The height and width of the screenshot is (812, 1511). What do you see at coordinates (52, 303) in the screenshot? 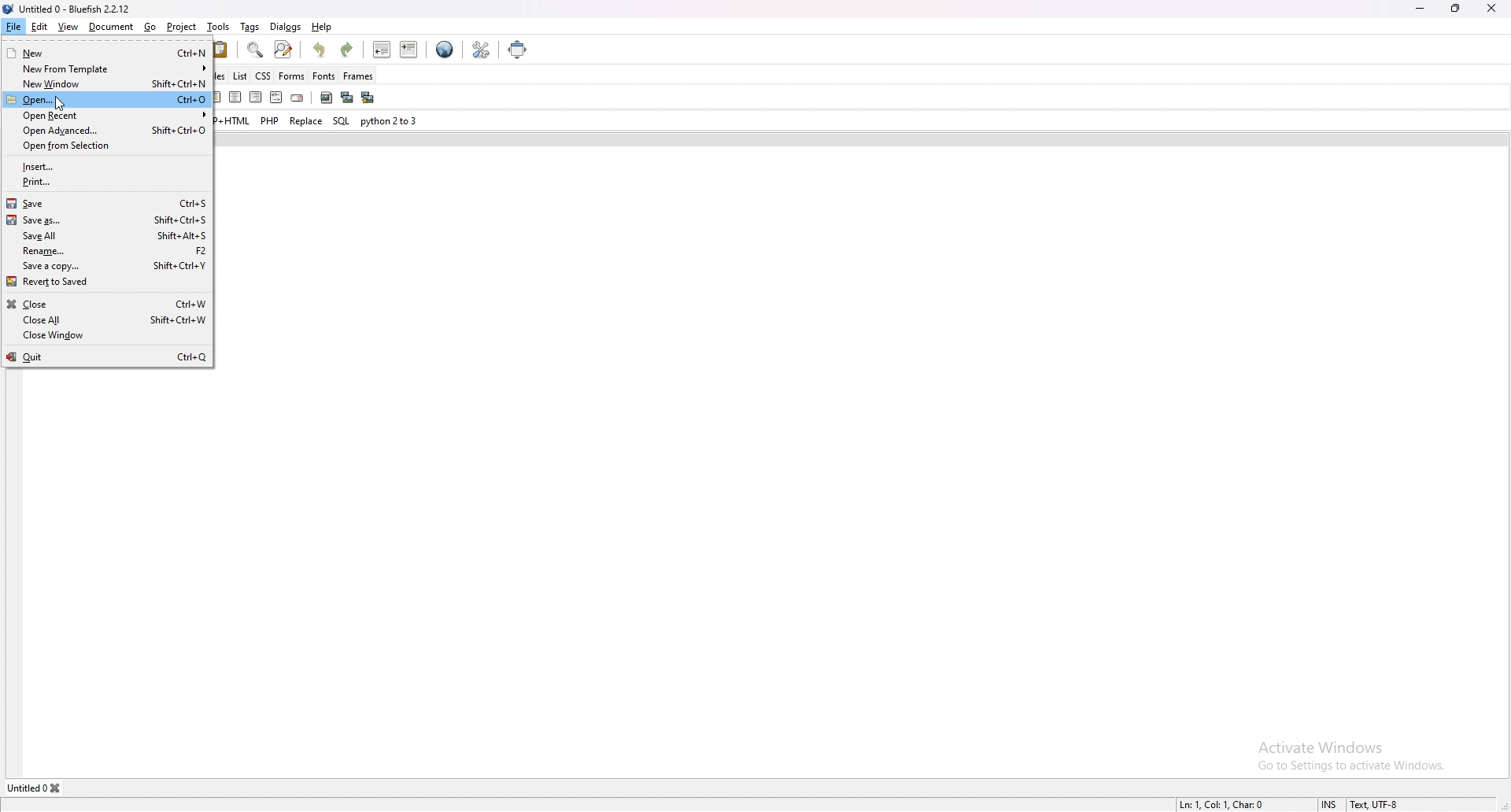
I see `close` at bounding box center [52, 303].